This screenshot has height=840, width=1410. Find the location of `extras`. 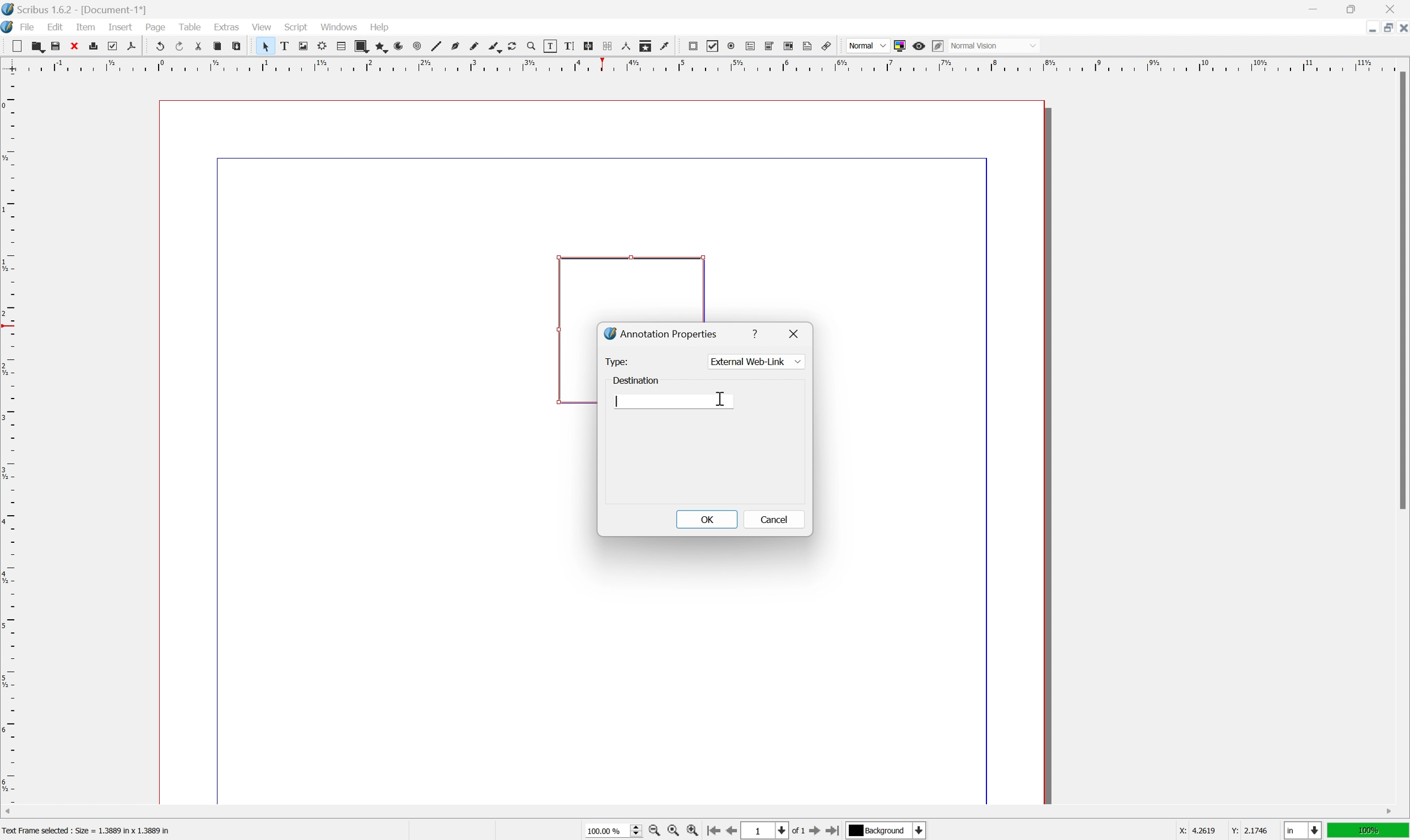

extras is located at coordinates (227, 26).